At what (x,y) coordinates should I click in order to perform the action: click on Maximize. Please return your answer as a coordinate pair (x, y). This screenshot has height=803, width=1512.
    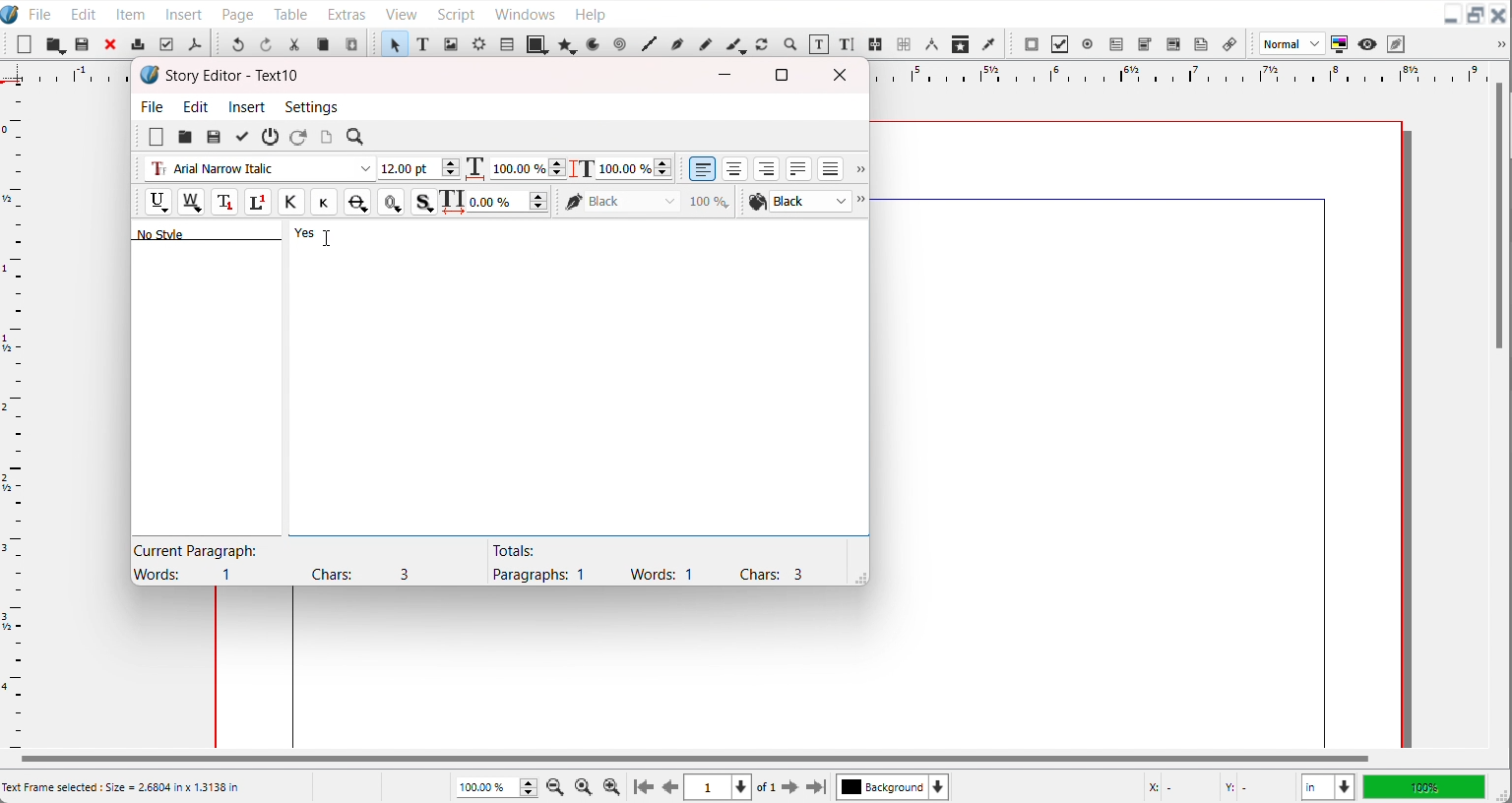
    Looking at the image, I should click on (1476, 16).